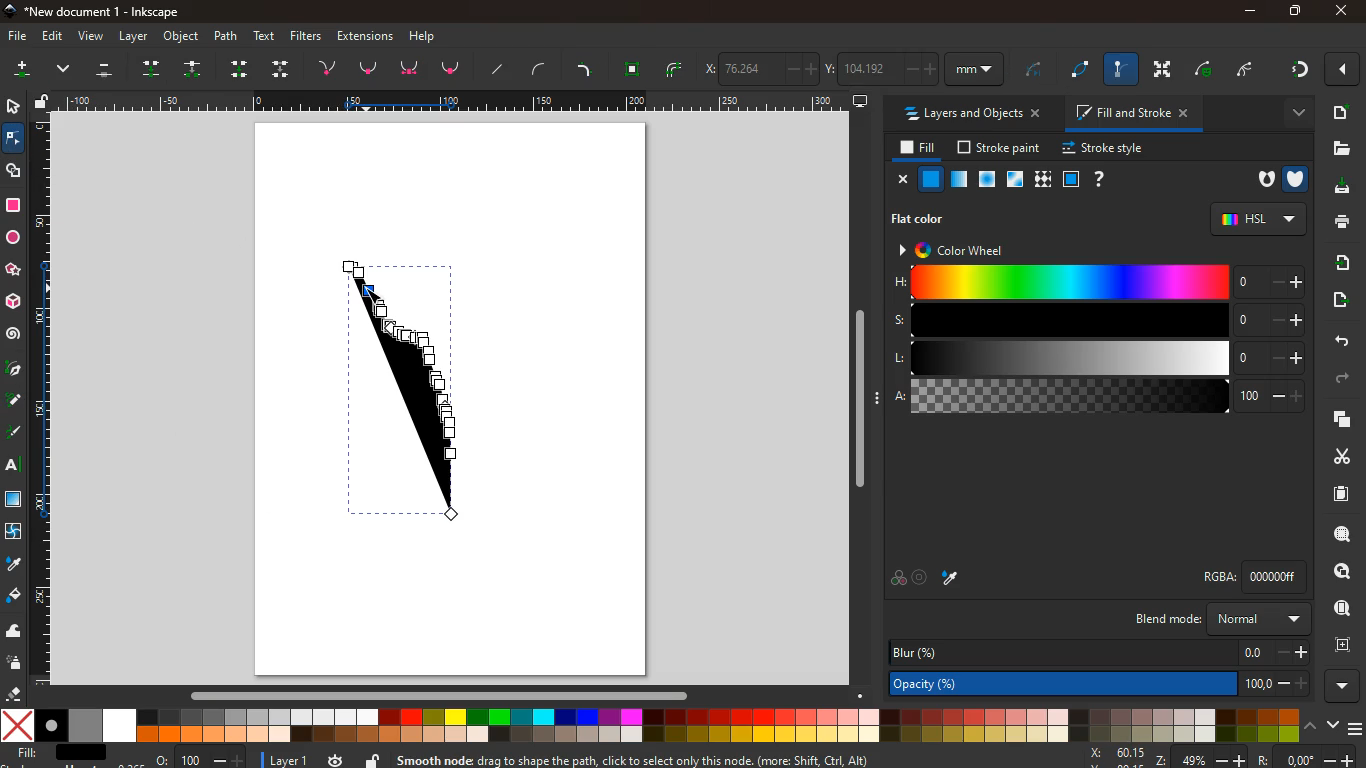 Image resolution: width=1366 pixels, height=768 pixels. What do you see at coordinates (1098, 283) in the screenshot?
I see `h` at bounding box center [1098, 283].